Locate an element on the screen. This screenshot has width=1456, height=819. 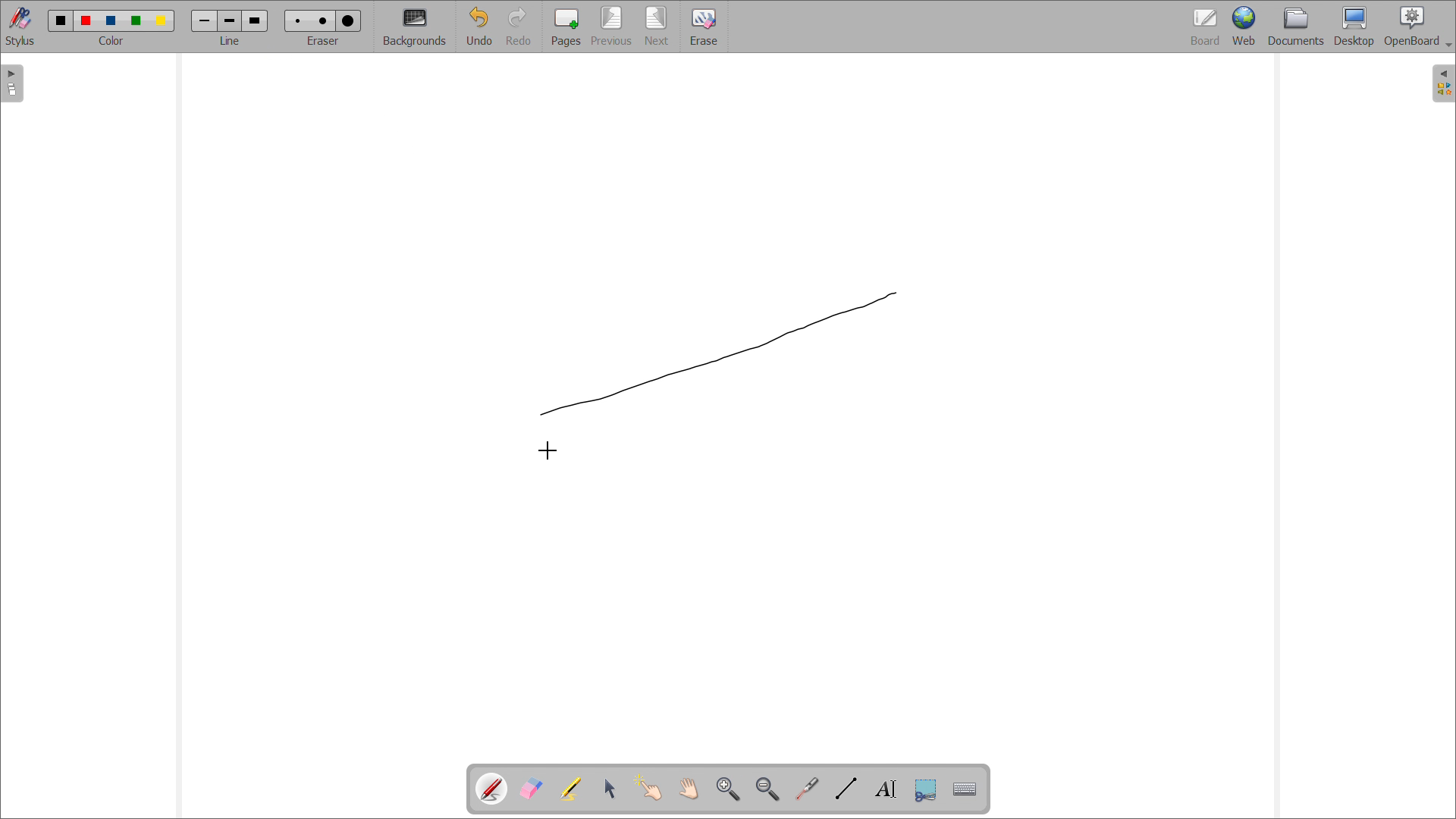
board is located at coordinates (1204, 27).